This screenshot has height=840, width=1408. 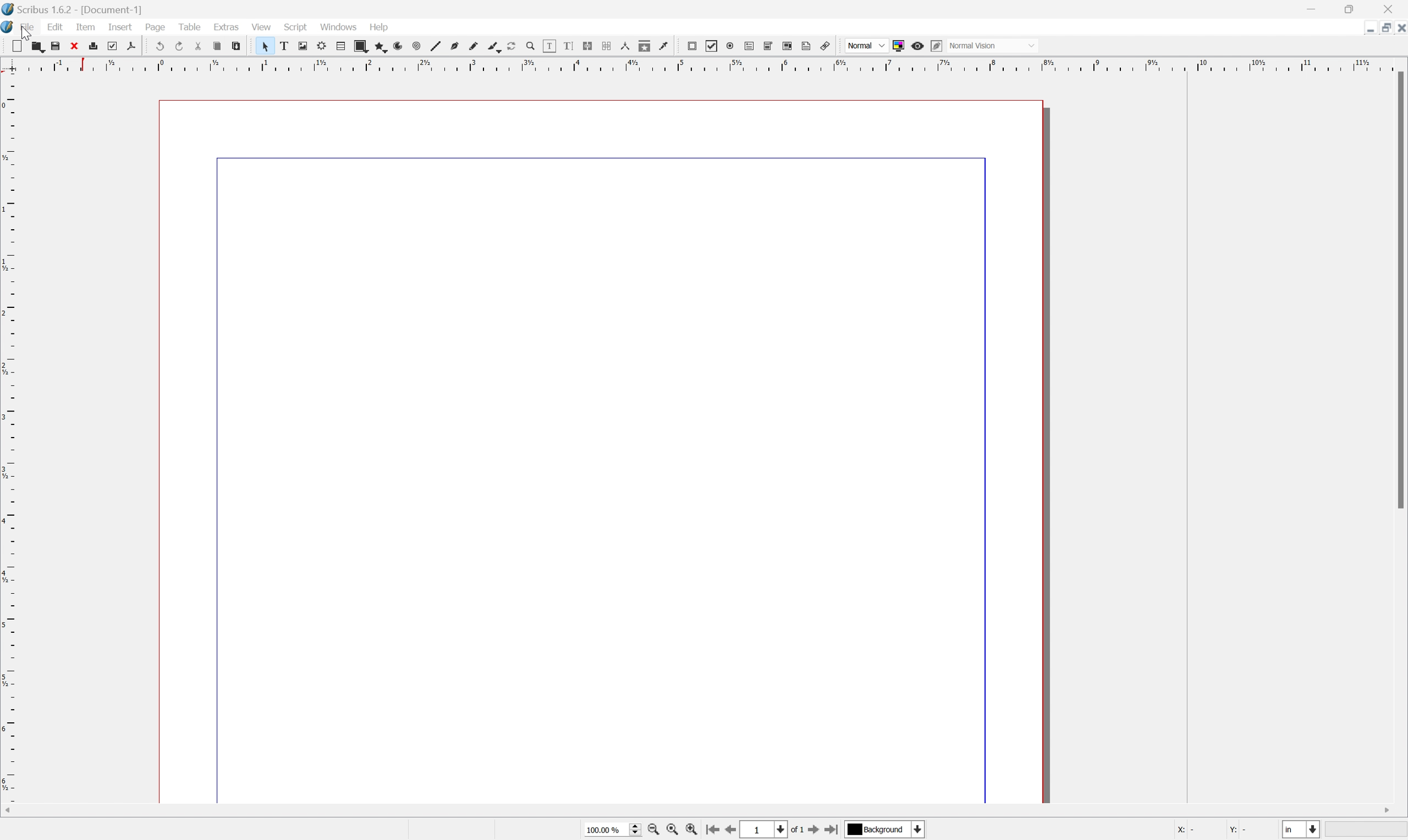 What do you see at coordinates (9, 28) in the screenshot?
I see `Scribus icon` at bounding box center [9, 28].